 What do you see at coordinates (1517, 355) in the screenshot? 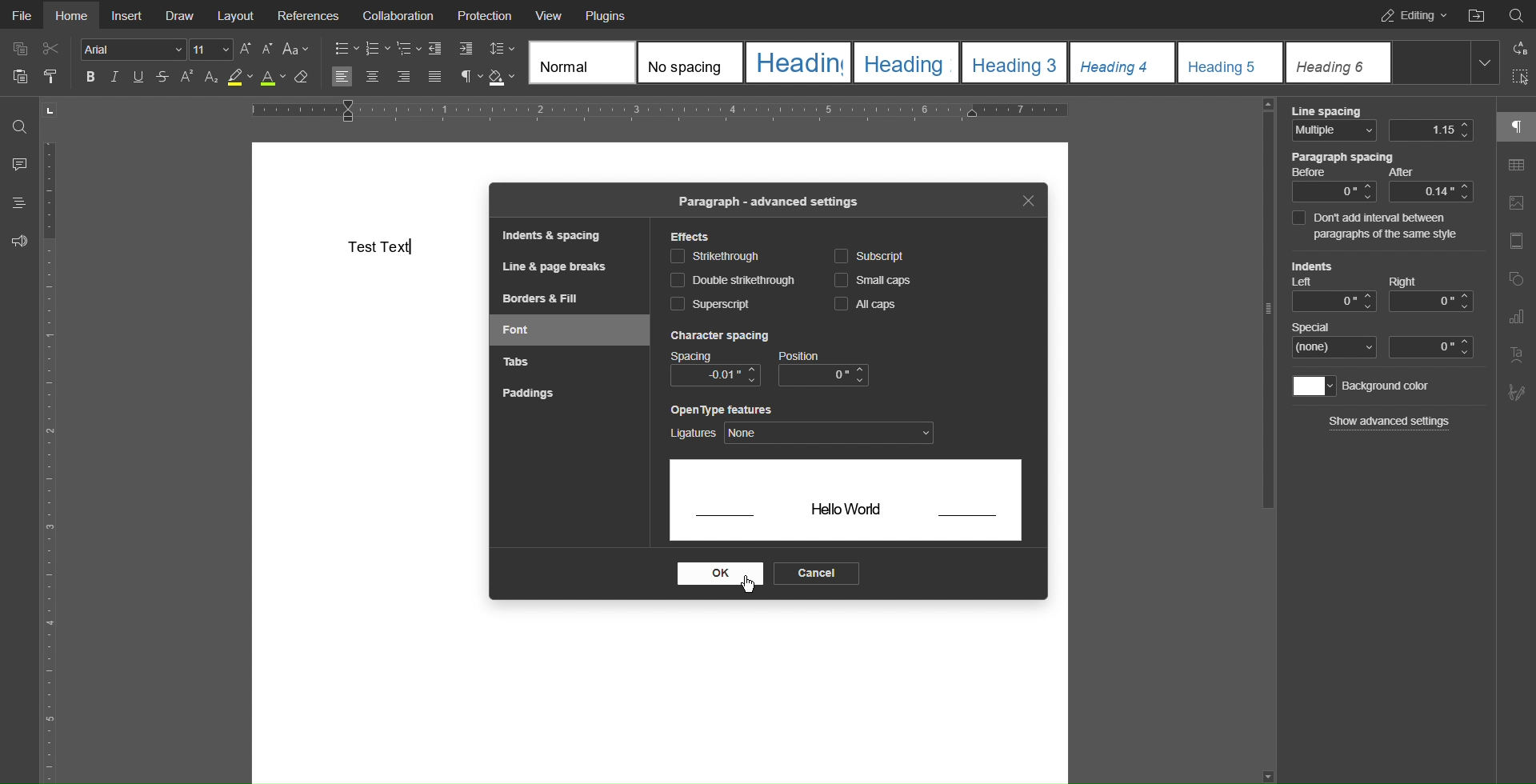
I see `Text Art` at bounding box center [1517, 355].